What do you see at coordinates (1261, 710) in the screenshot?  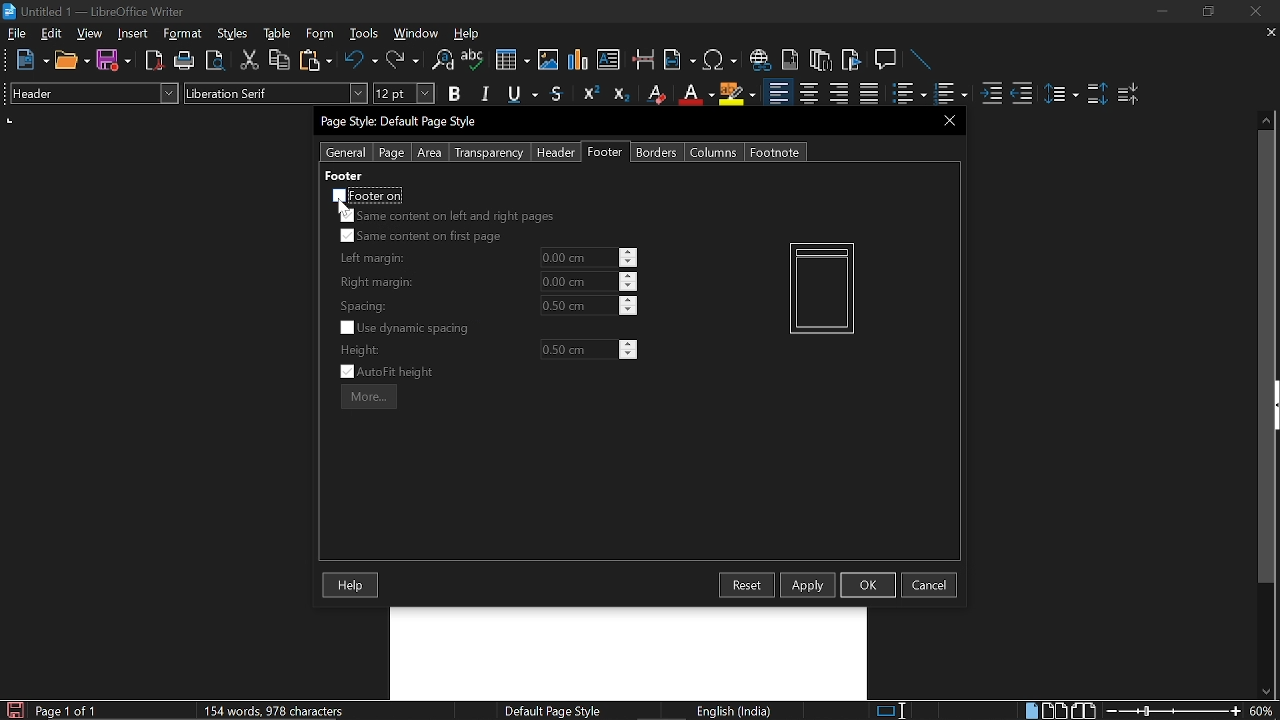 I see `Current zoom hey Cortana` at bounding box center [1261, 710].